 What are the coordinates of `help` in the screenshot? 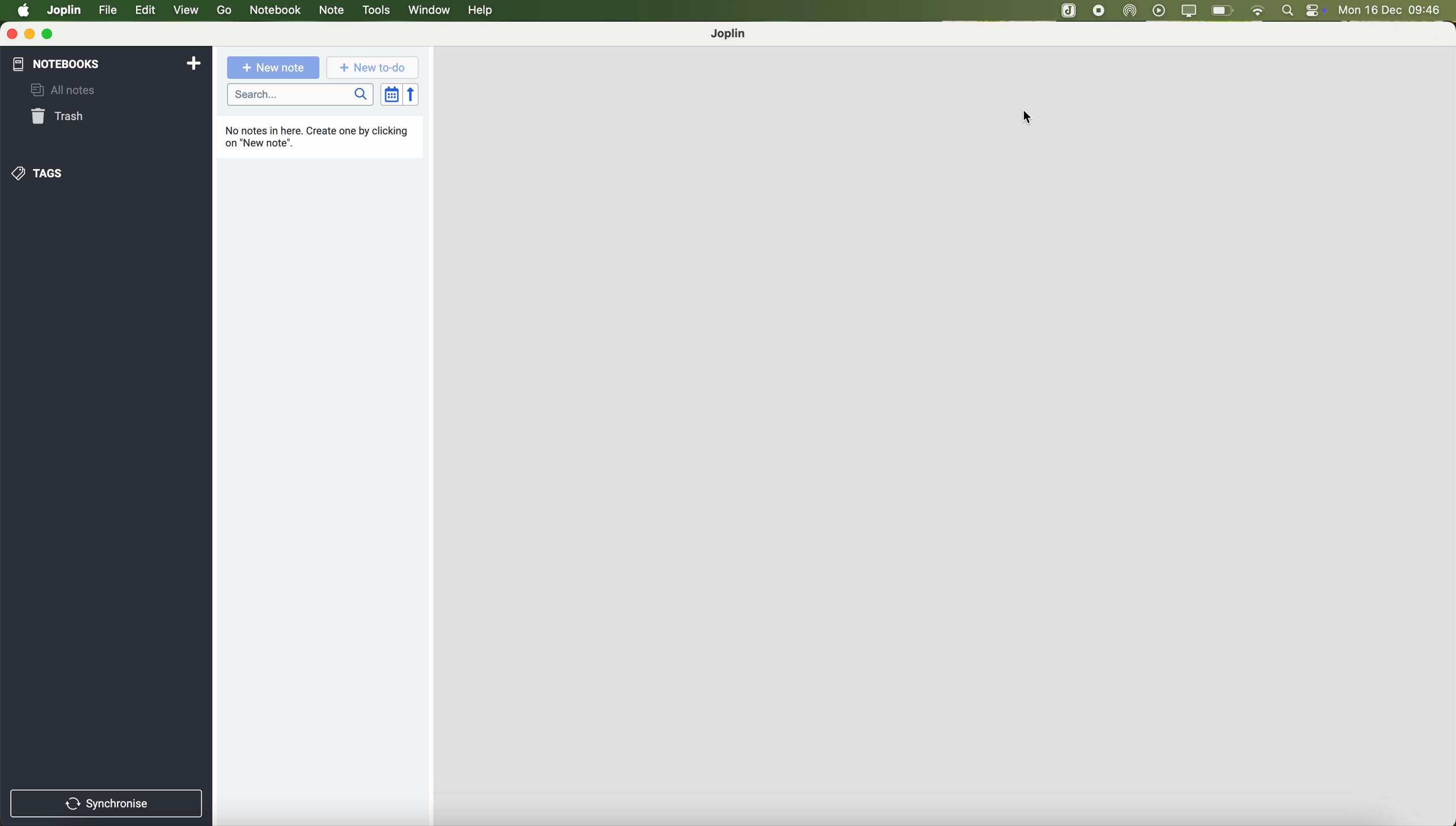 It's located at (482, 11).